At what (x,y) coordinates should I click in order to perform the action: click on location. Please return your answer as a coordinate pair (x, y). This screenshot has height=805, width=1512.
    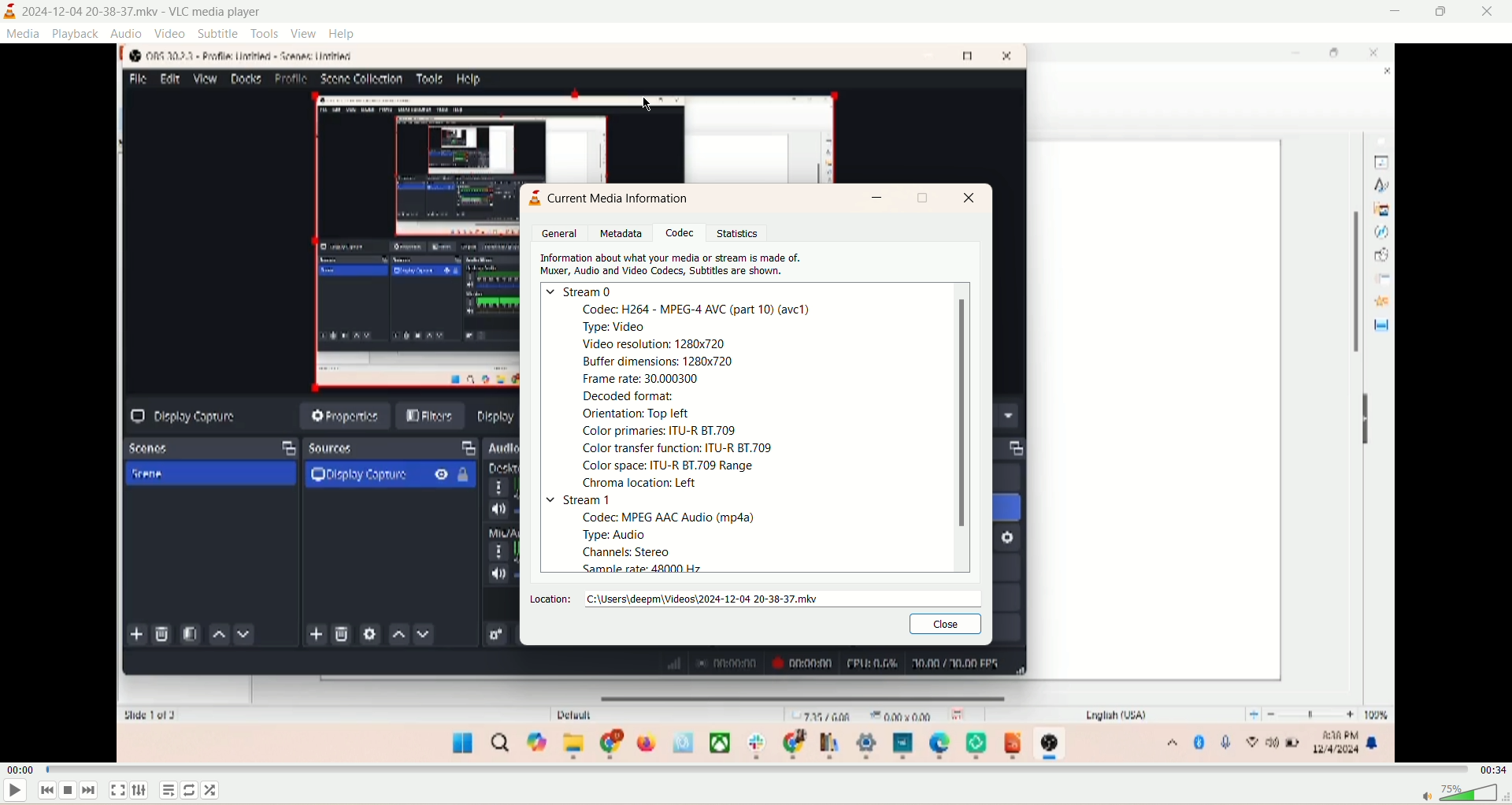
    Looking at the image, I should click on (750, 597).